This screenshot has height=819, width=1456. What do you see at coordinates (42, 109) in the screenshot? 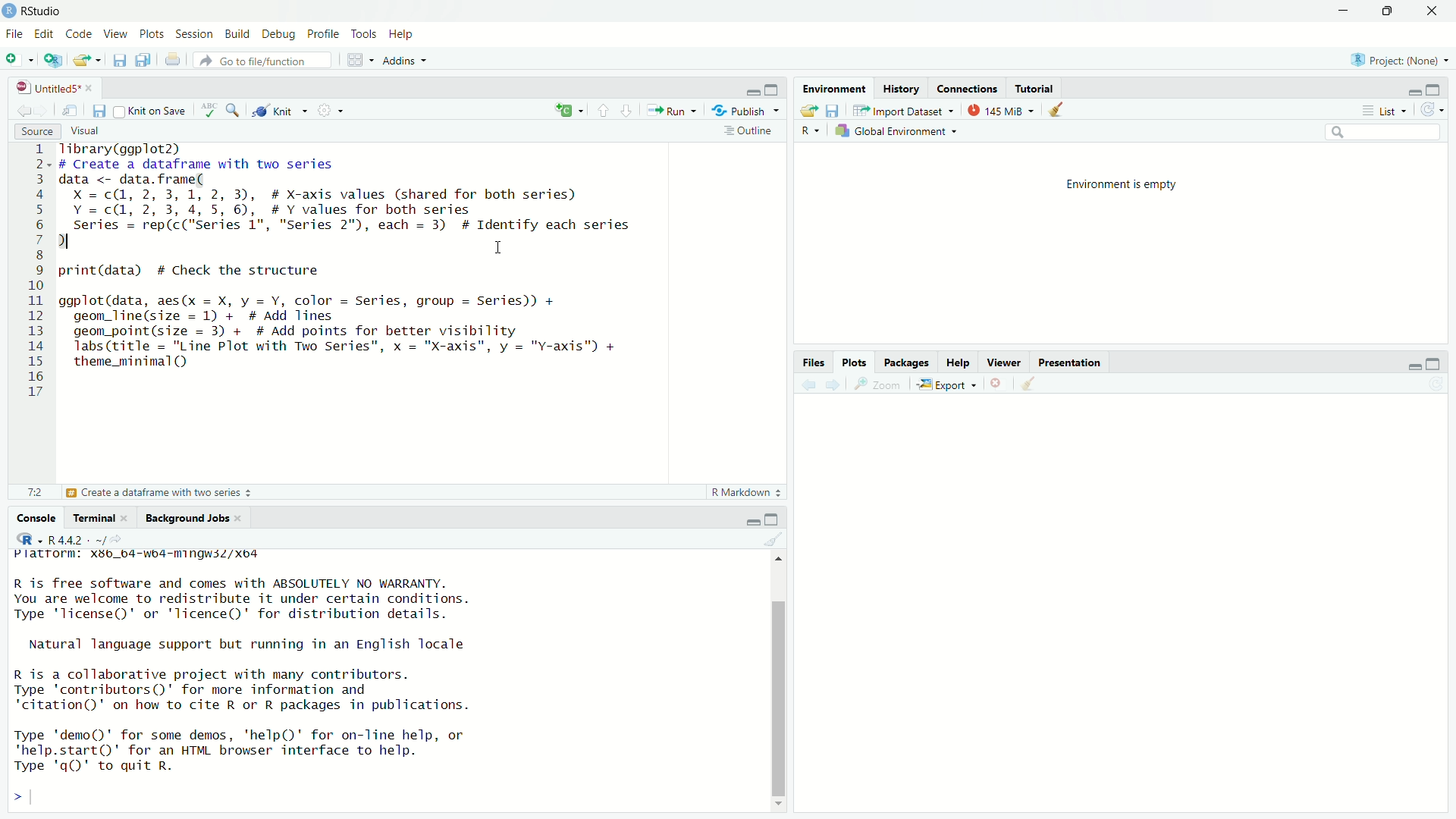
I see `Go forward to the next source selection` at bounding box center [42, 109].